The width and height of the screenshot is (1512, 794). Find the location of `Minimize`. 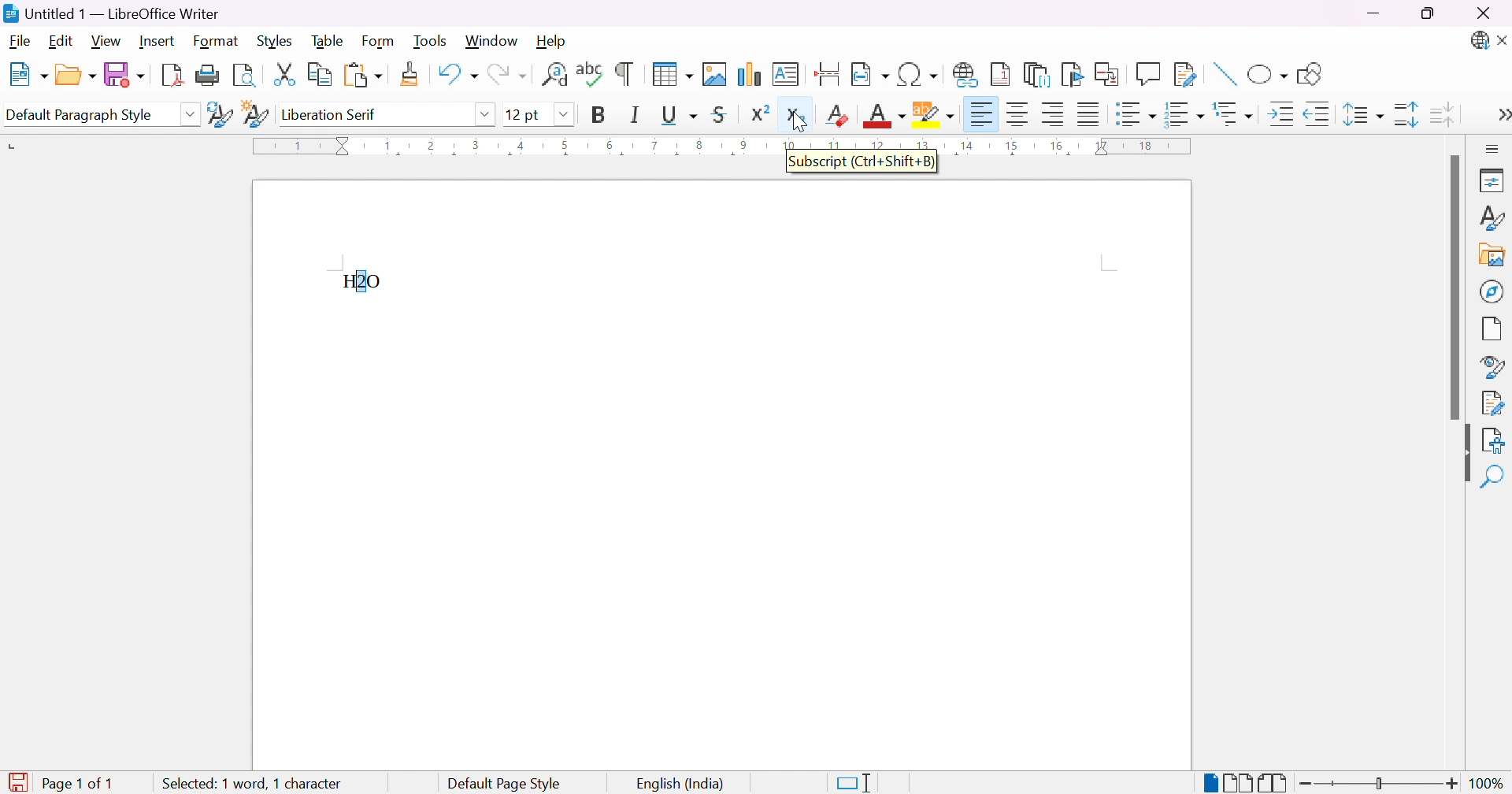

Minimize is located at coordinates (1376, 13).